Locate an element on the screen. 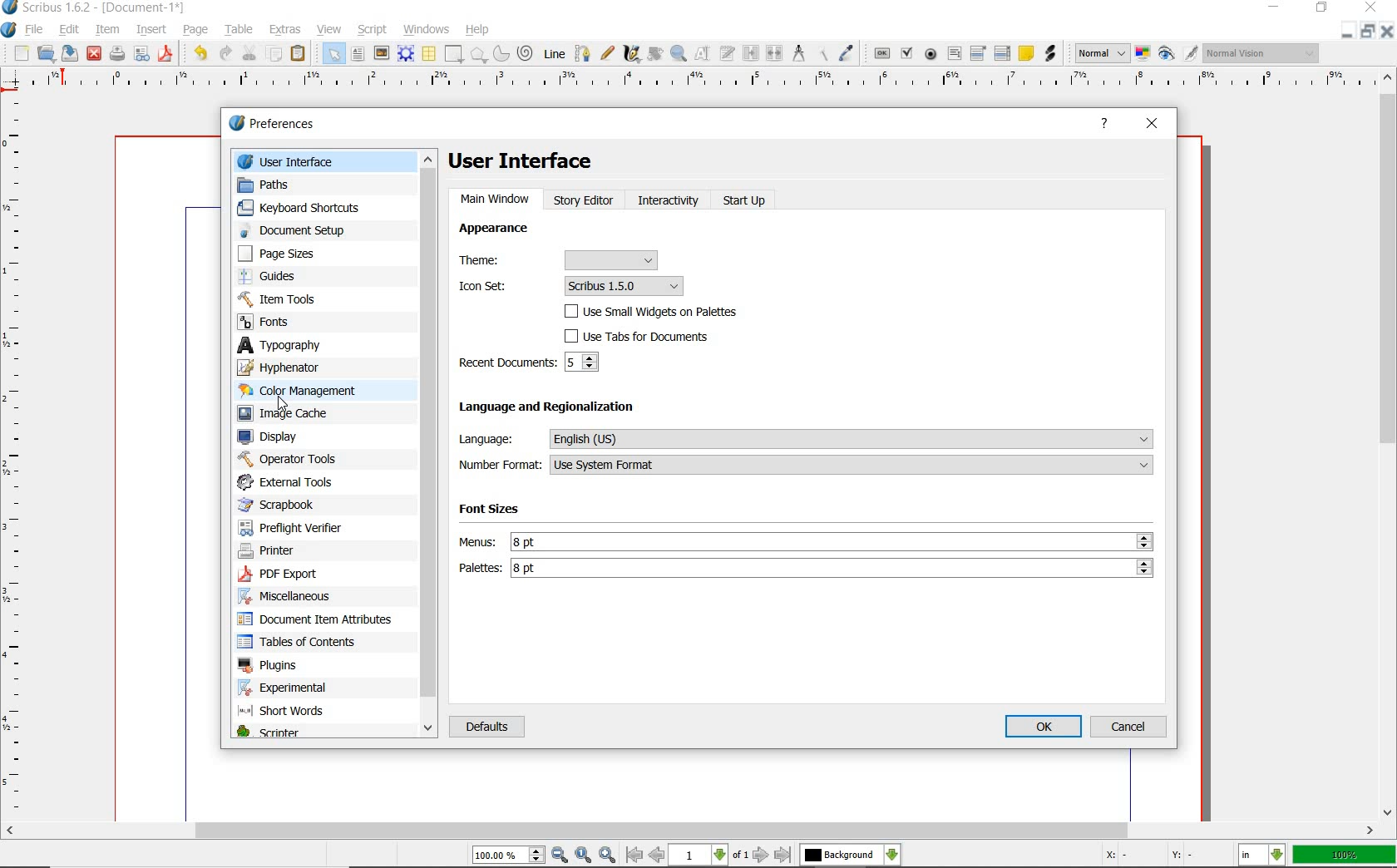  insert is located at coordinates (151, 28).